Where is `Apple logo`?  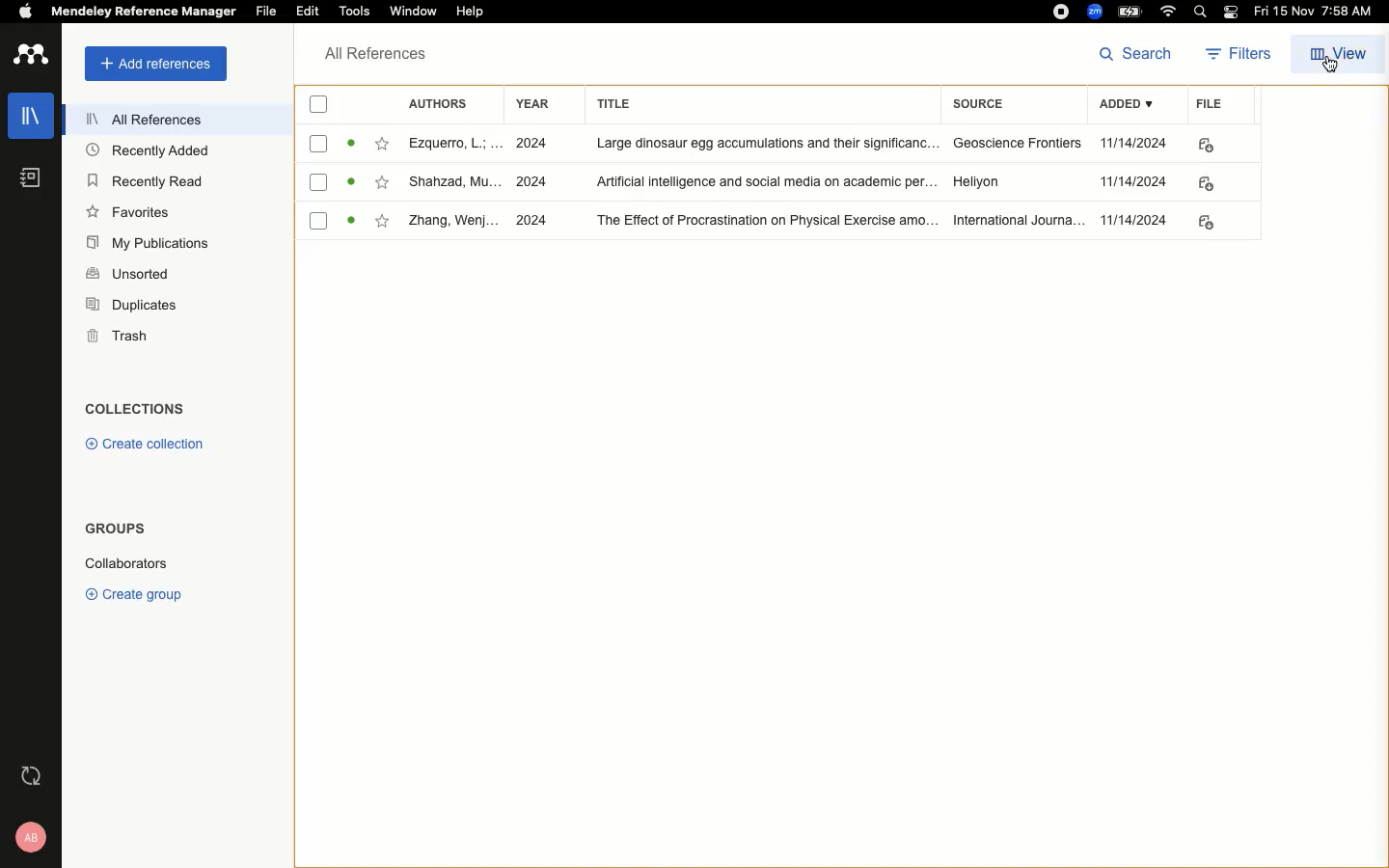
Apple logo is located at coordinates (18, 11).